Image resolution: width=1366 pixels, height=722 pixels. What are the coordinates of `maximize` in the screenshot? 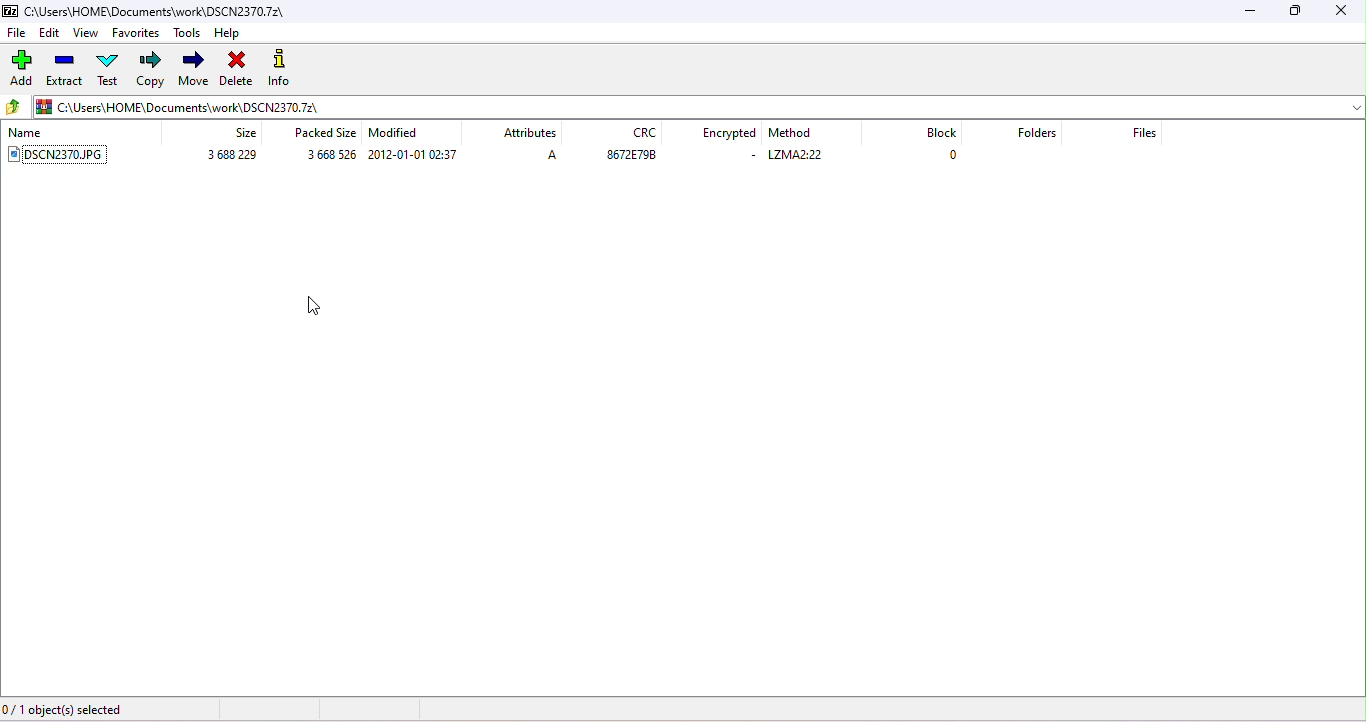 It's located at (1296, 12).